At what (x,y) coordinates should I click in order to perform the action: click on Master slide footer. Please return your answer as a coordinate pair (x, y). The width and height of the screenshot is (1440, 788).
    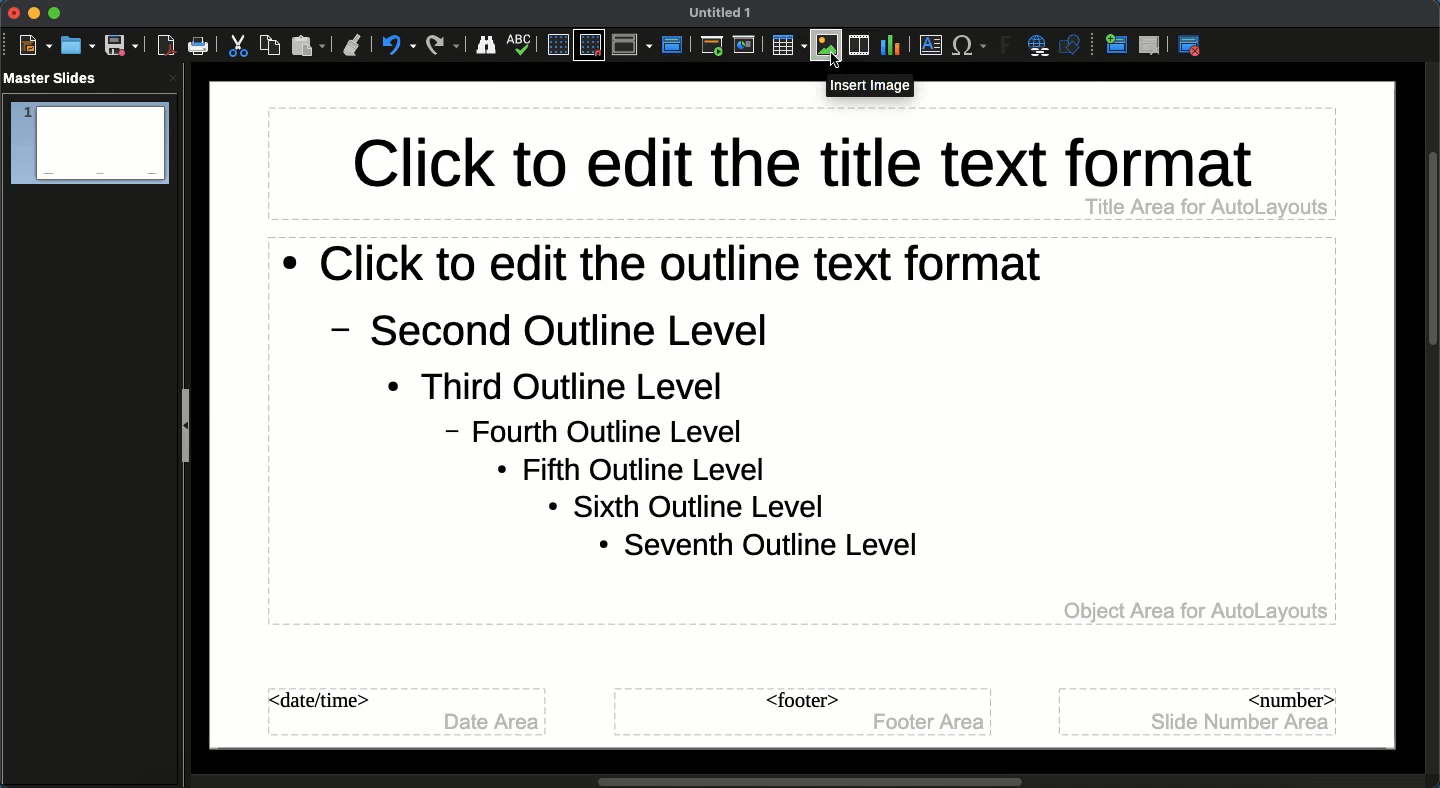
    Looking at the image, I should click on (805, 712).